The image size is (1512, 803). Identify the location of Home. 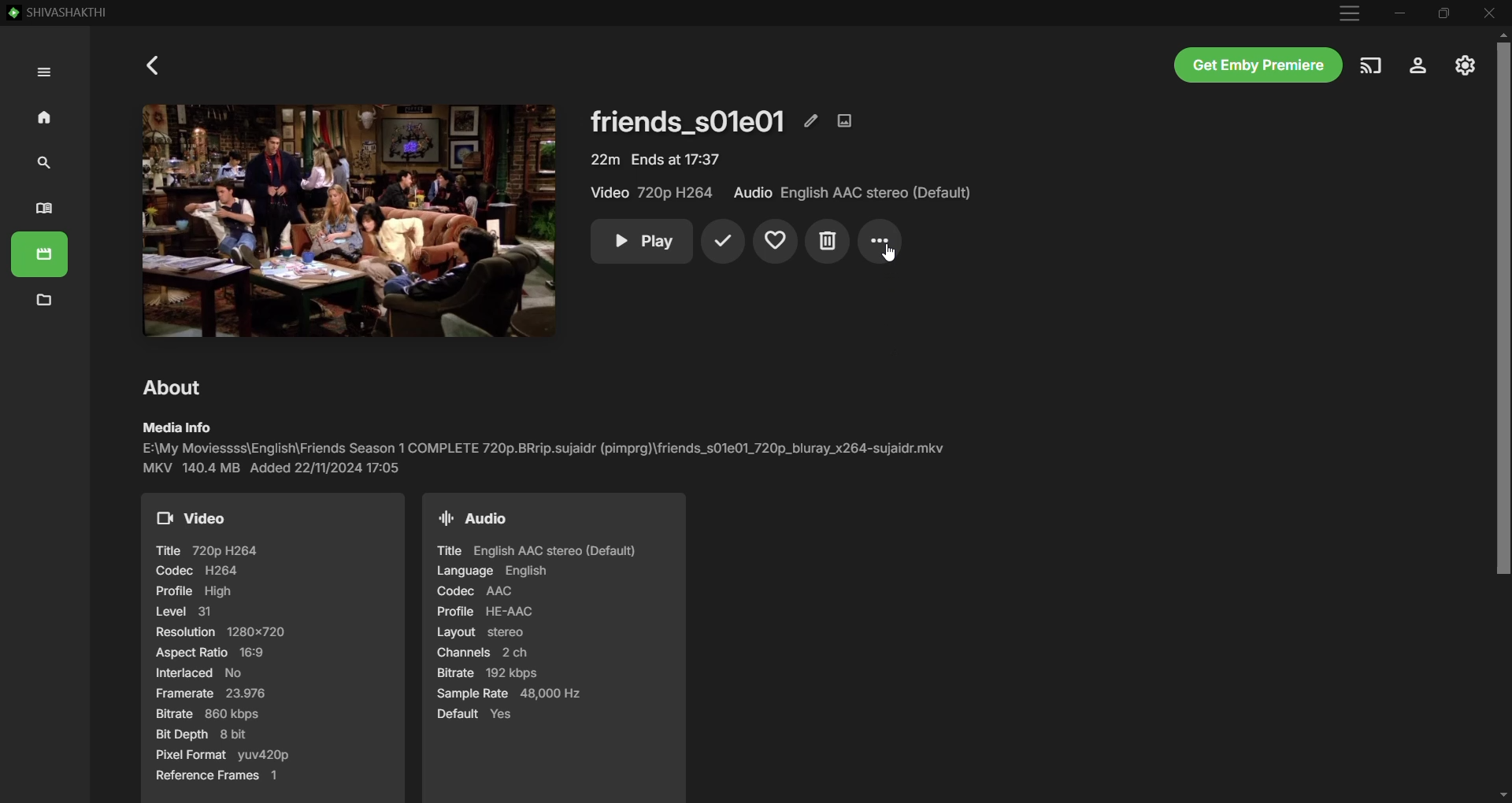
(40, 116).